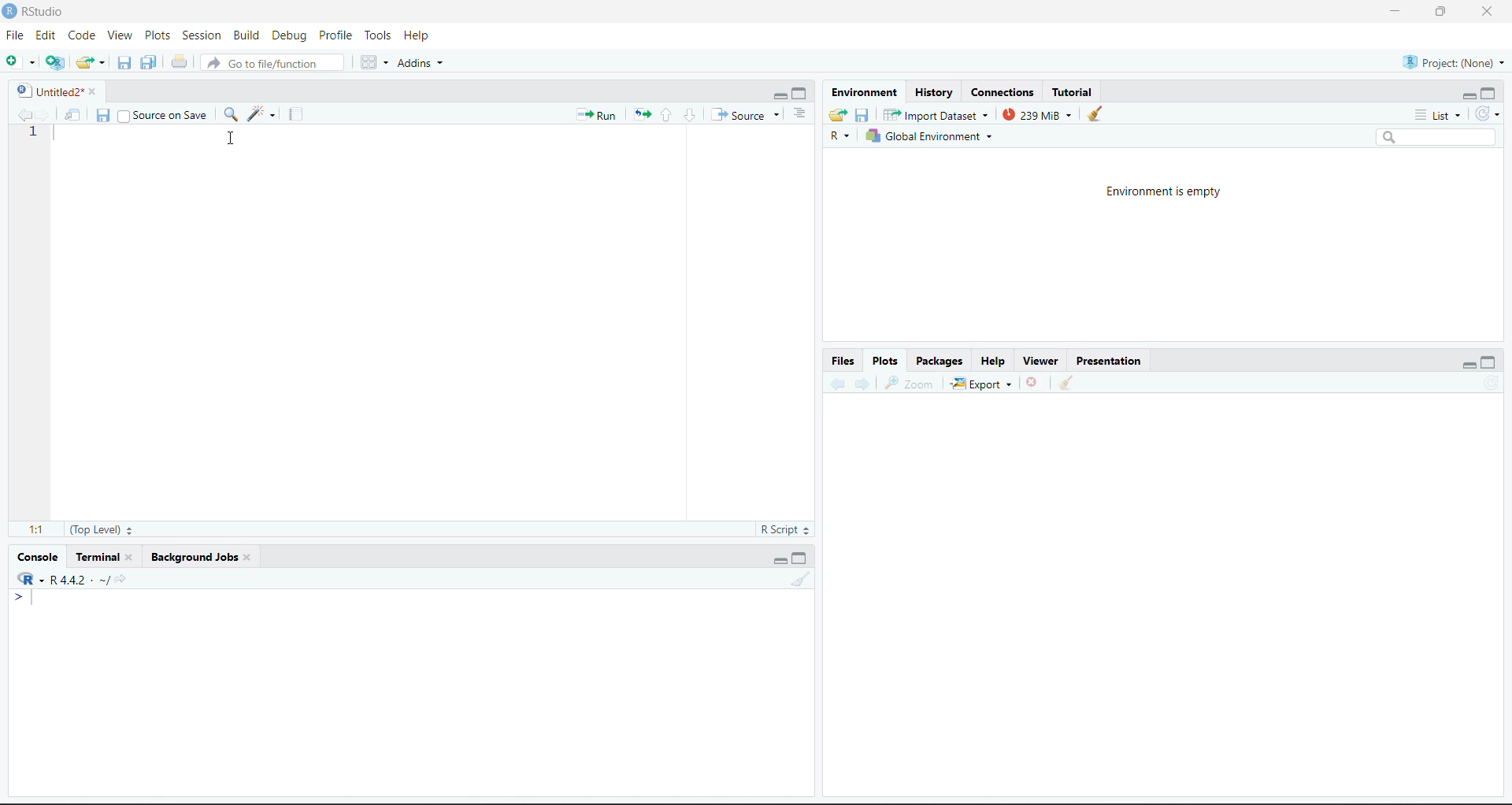  What do you see at coordinates (264, 112) in the screenshot?
I see `Code Tools` at bounding box center [264, 112].